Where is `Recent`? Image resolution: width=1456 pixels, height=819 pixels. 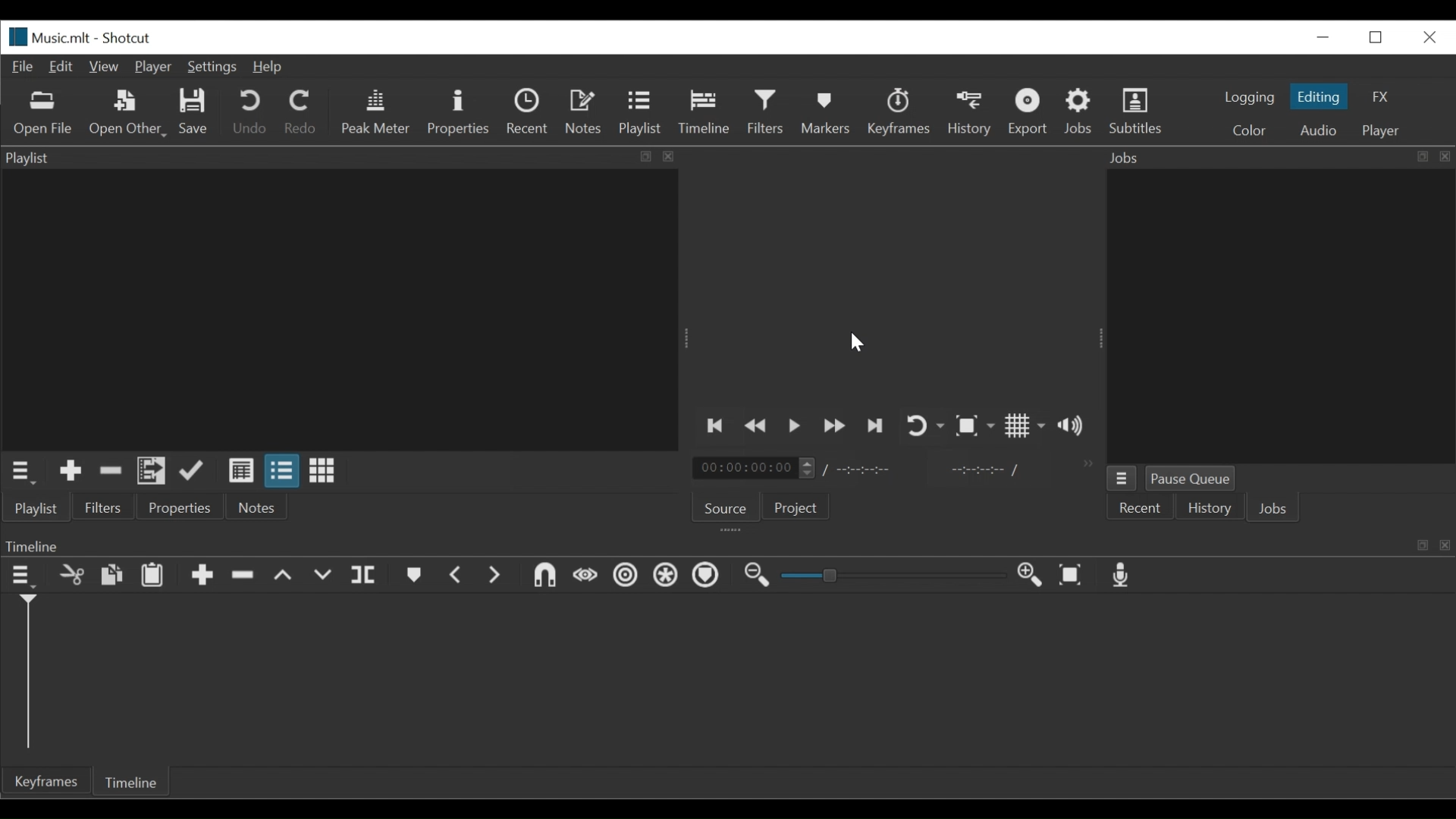 Recent is located at coordinates (529, 109).